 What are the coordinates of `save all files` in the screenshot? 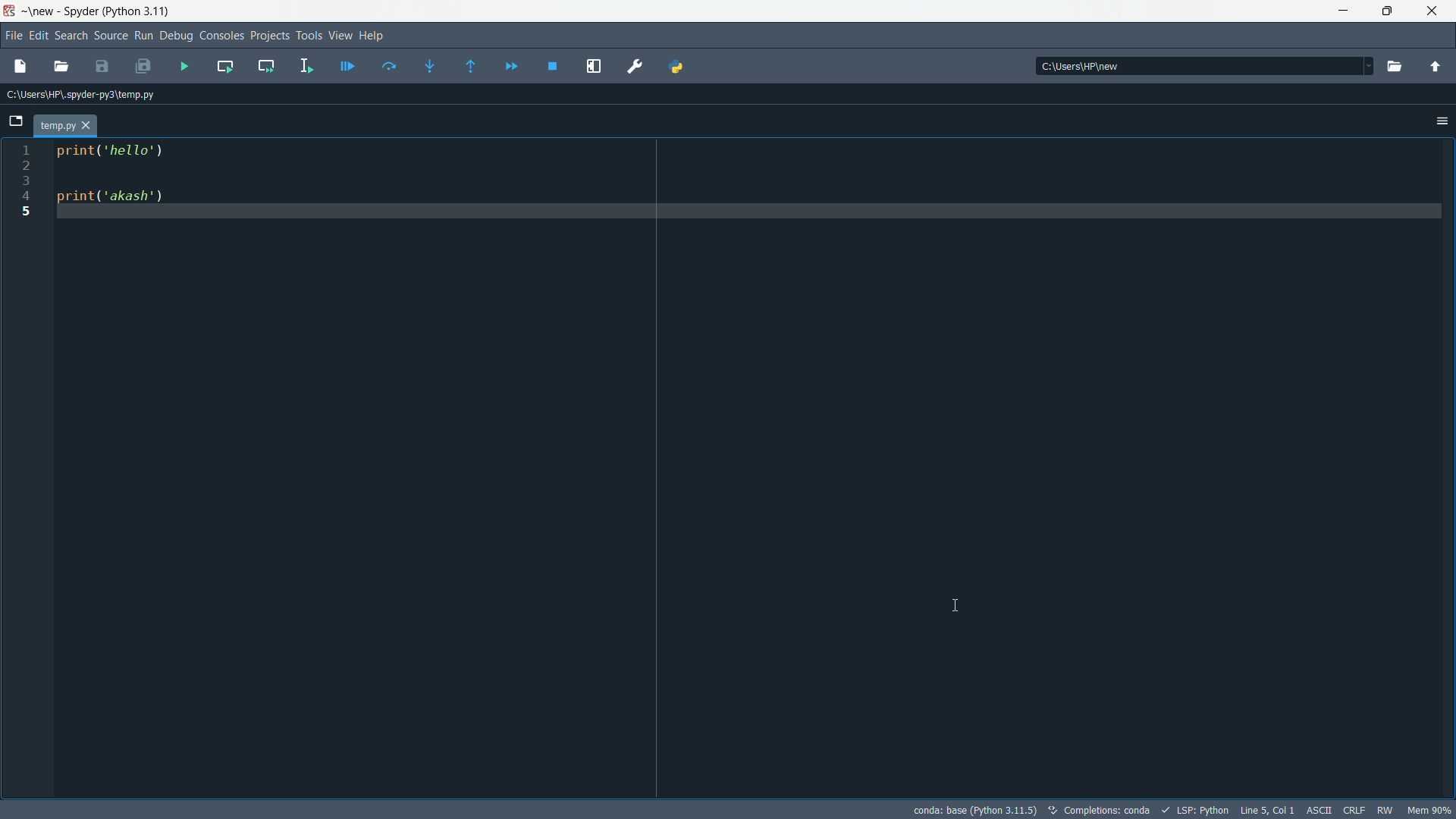 It's located at (142, 67).